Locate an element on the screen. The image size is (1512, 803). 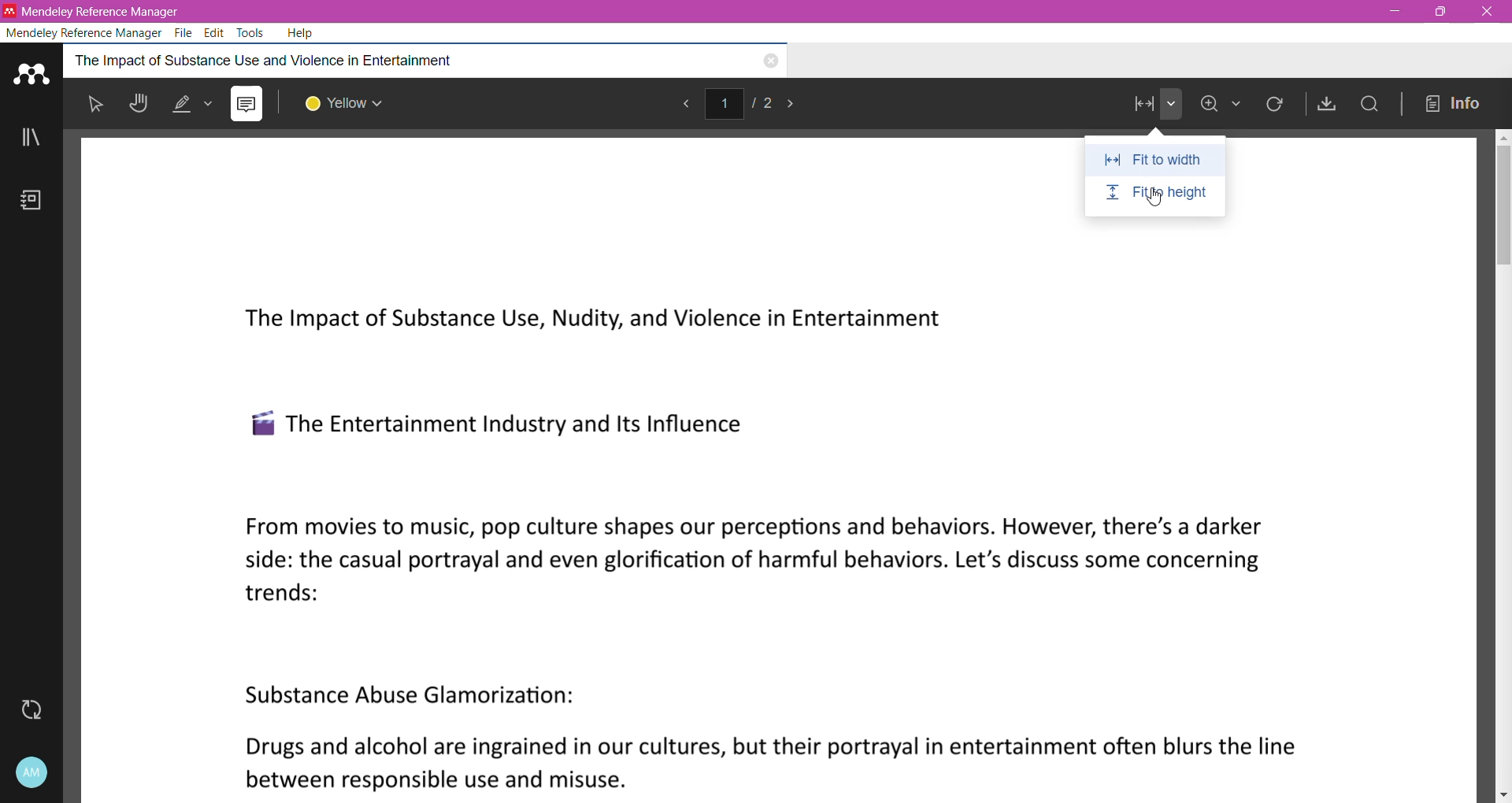
info is located at coordinates (1455, 102).